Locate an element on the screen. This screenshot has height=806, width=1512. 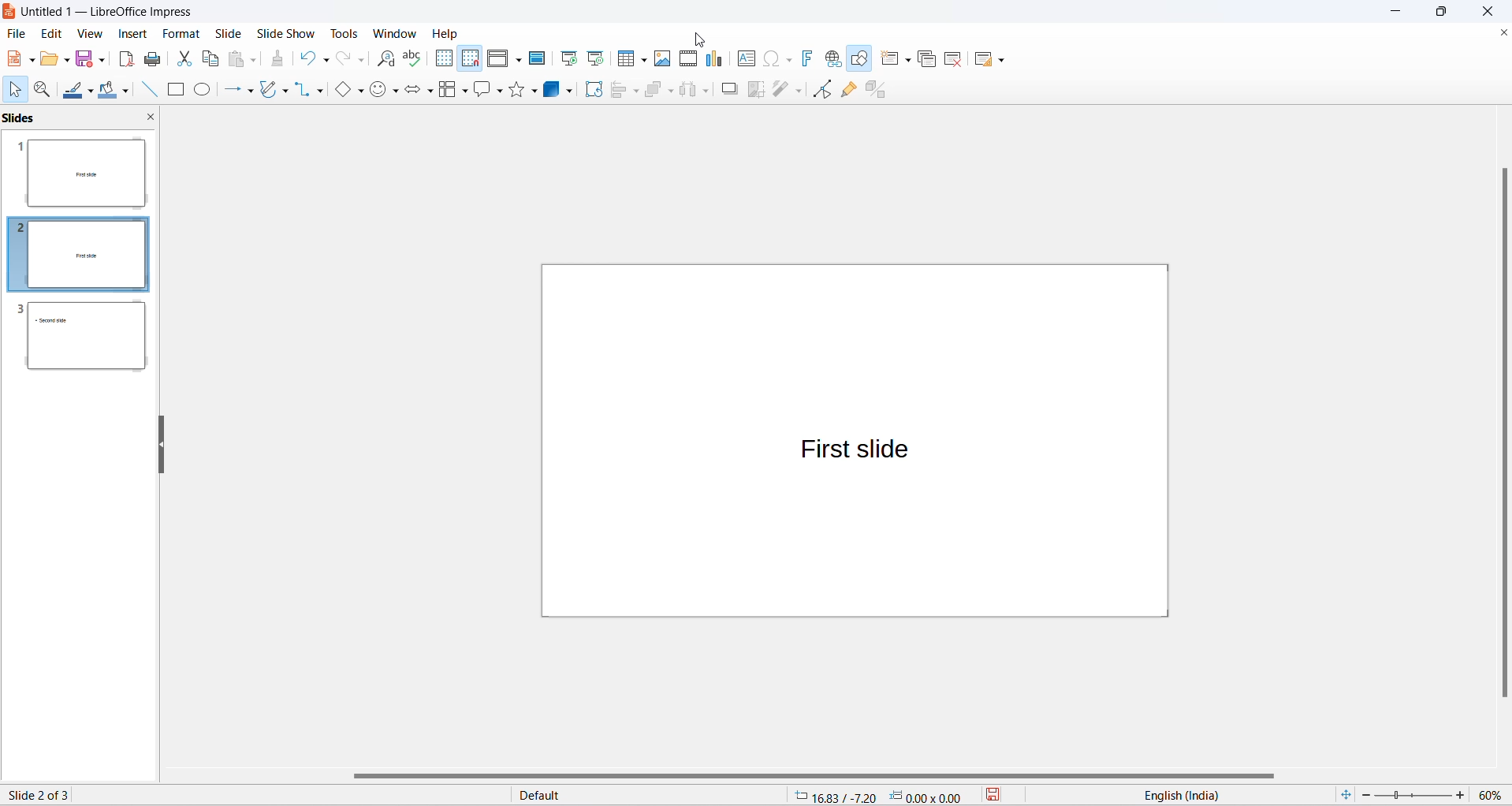
display view is located at coordinates (498, 59).